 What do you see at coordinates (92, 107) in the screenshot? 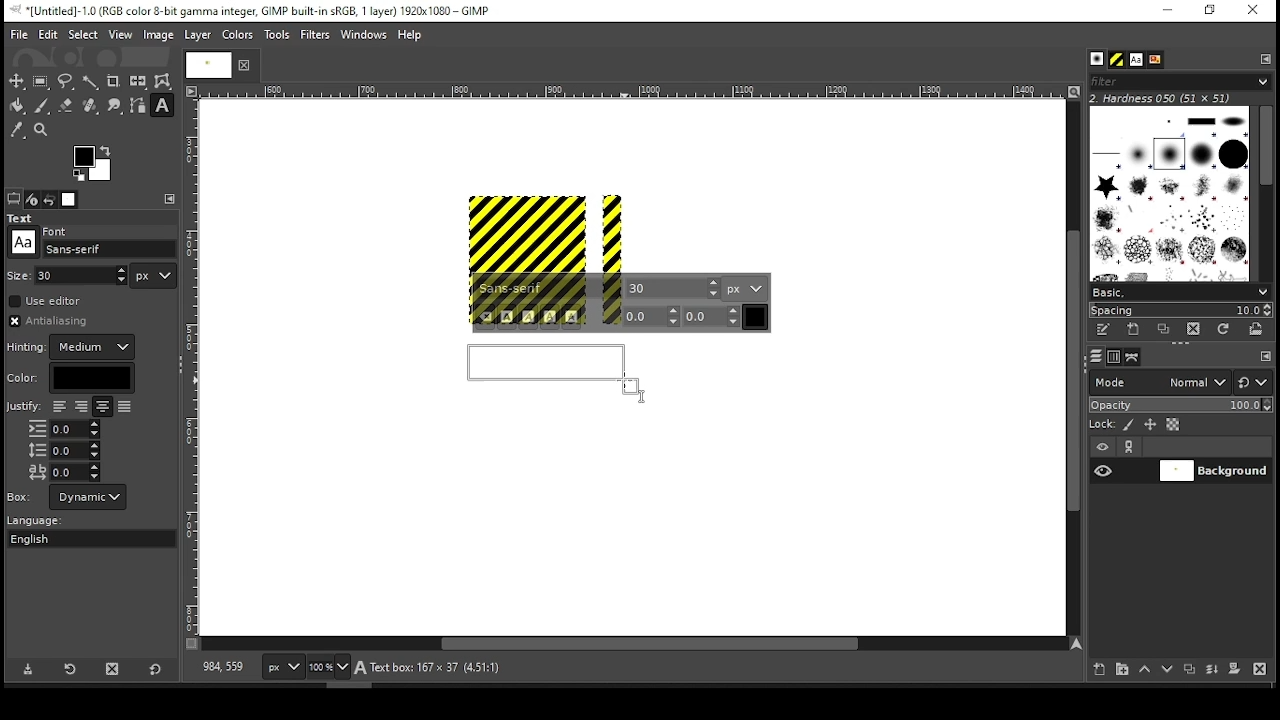
I see `heal tool` at bounding box center [92, 107].